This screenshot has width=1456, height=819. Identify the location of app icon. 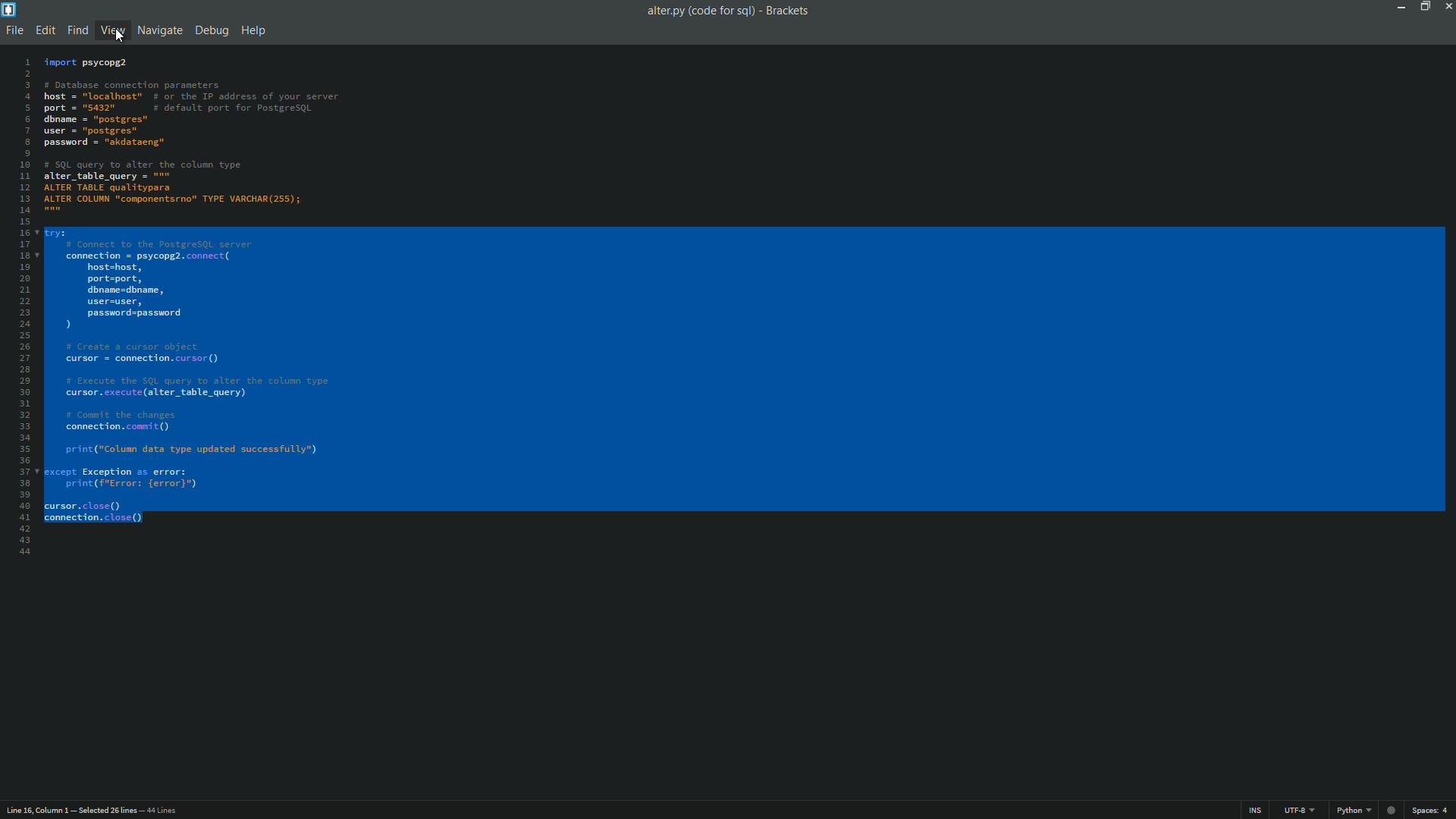
(9, 9).